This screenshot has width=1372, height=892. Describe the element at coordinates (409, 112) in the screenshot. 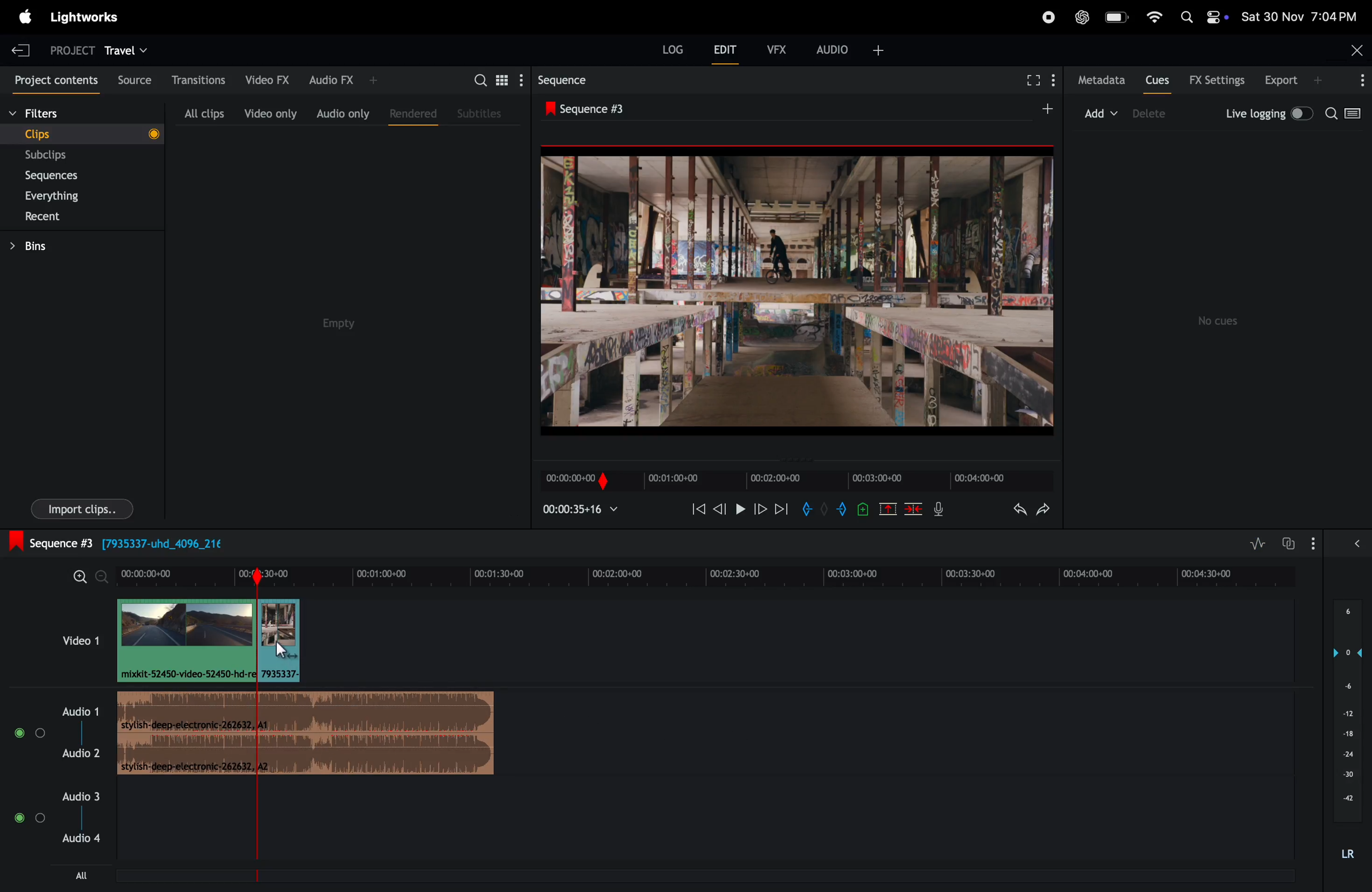

I see `rendered` at that location.